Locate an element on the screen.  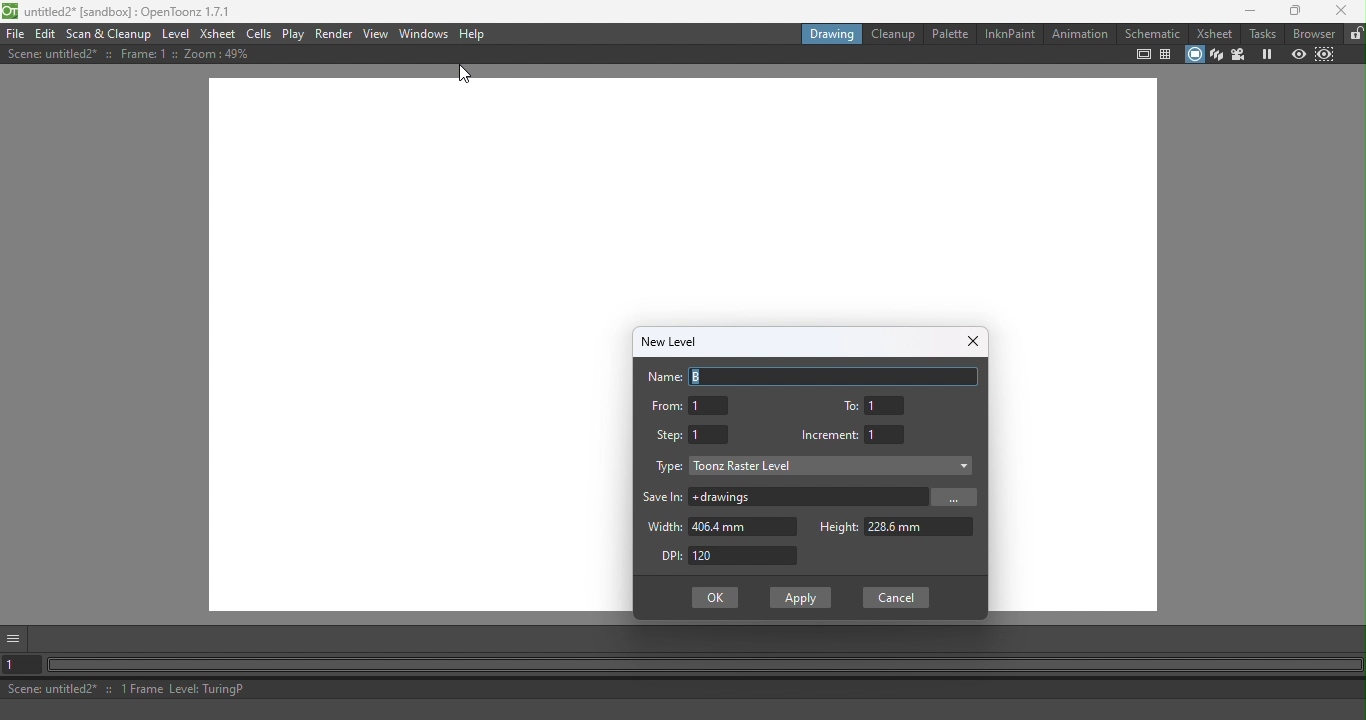
Width is located at coordinates (662, 527).